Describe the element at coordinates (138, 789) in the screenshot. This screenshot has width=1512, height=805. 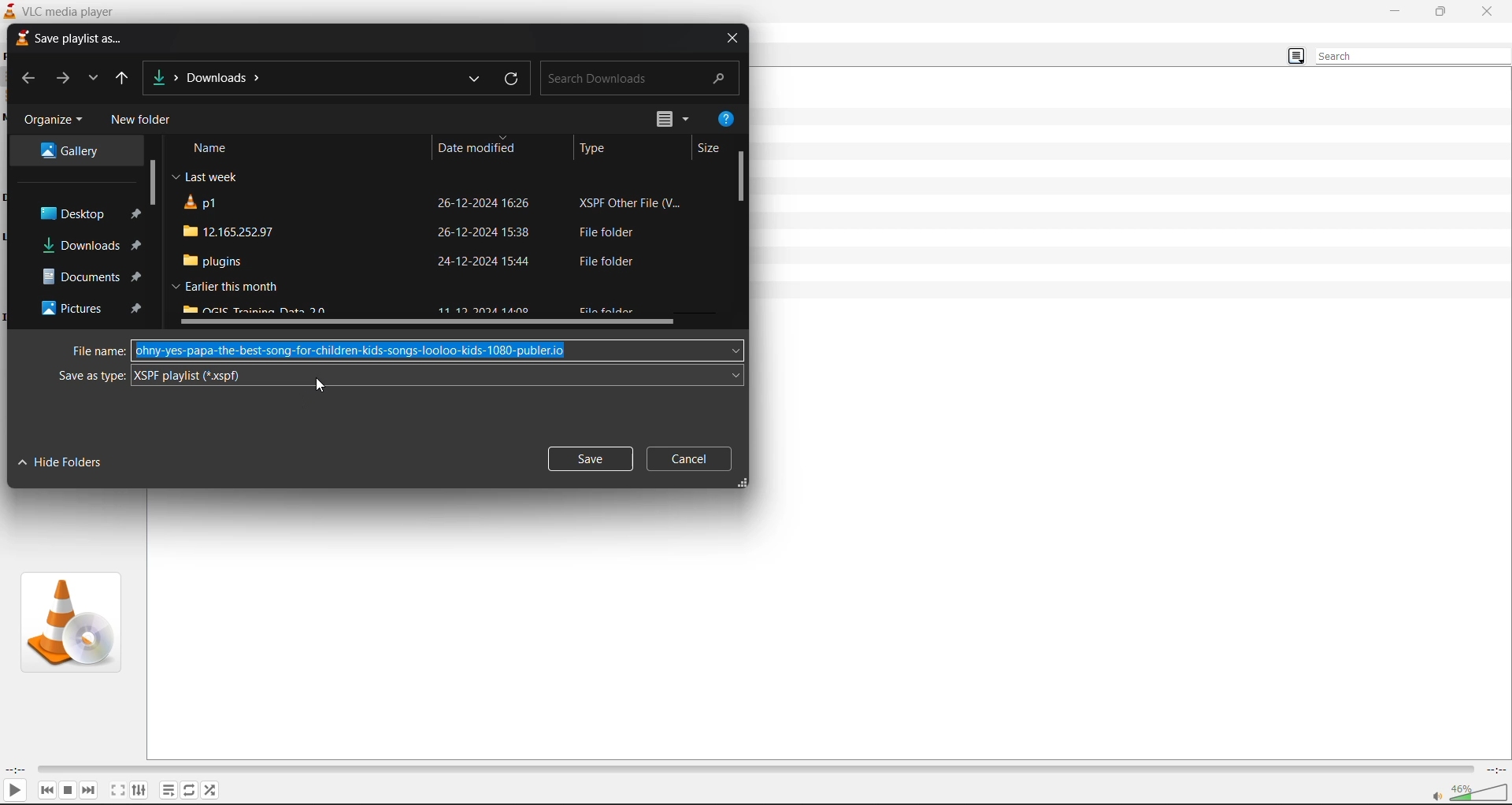
I see `settings` at that location.